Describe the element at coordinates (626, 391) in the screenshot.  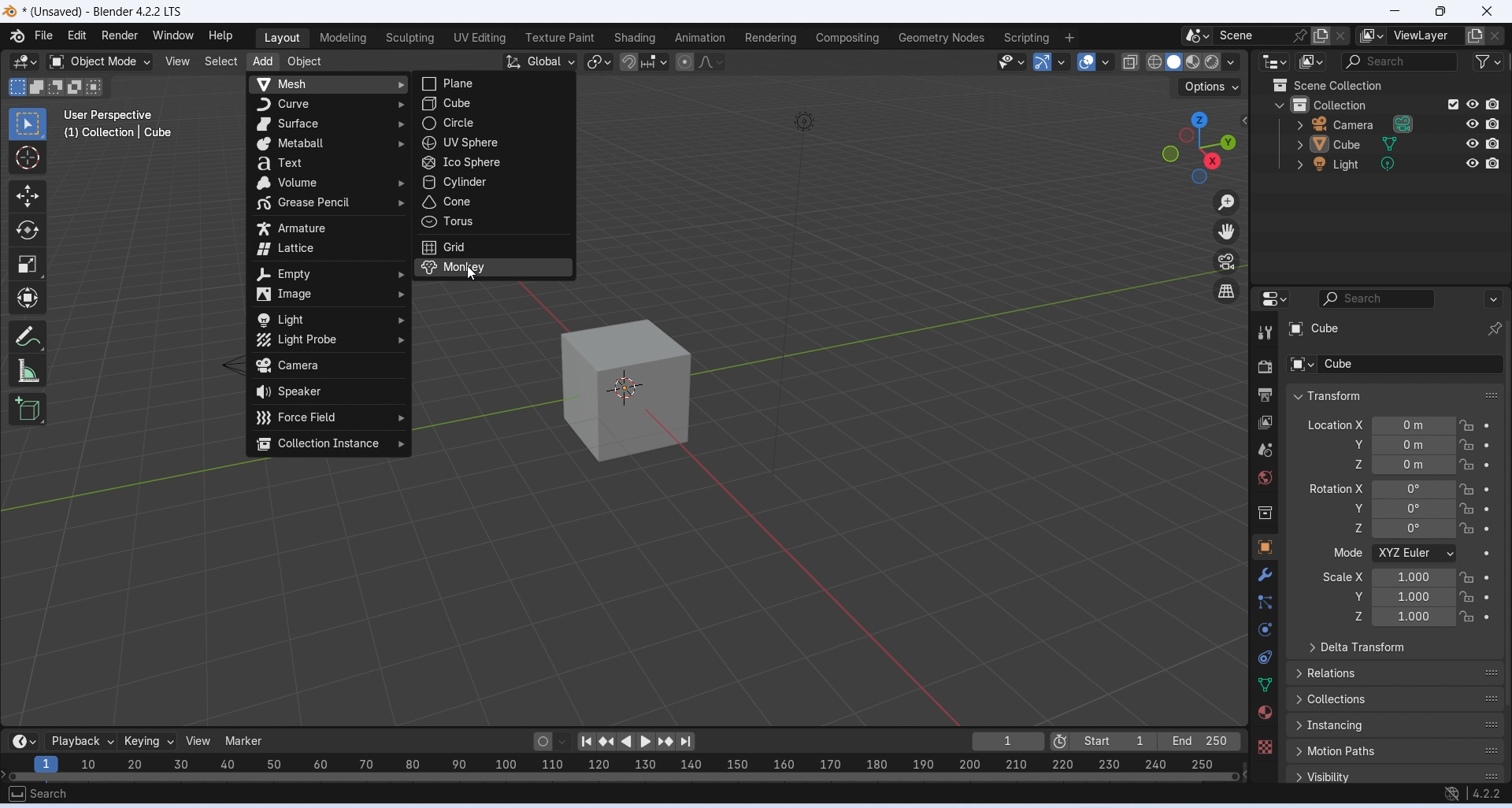
I see `cube` at that location.